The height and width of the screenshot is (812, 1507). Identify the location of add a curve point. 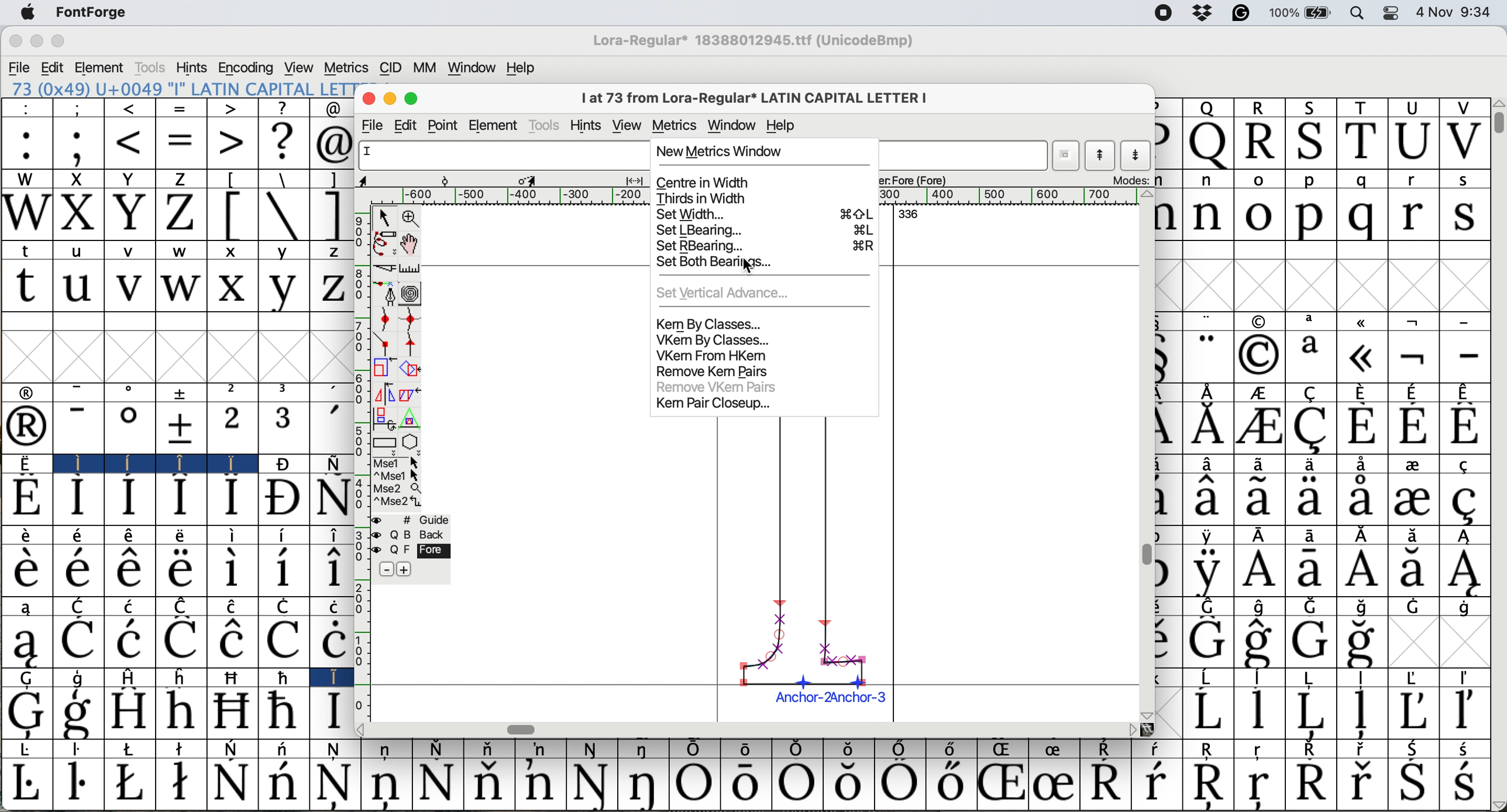
(384, 321).